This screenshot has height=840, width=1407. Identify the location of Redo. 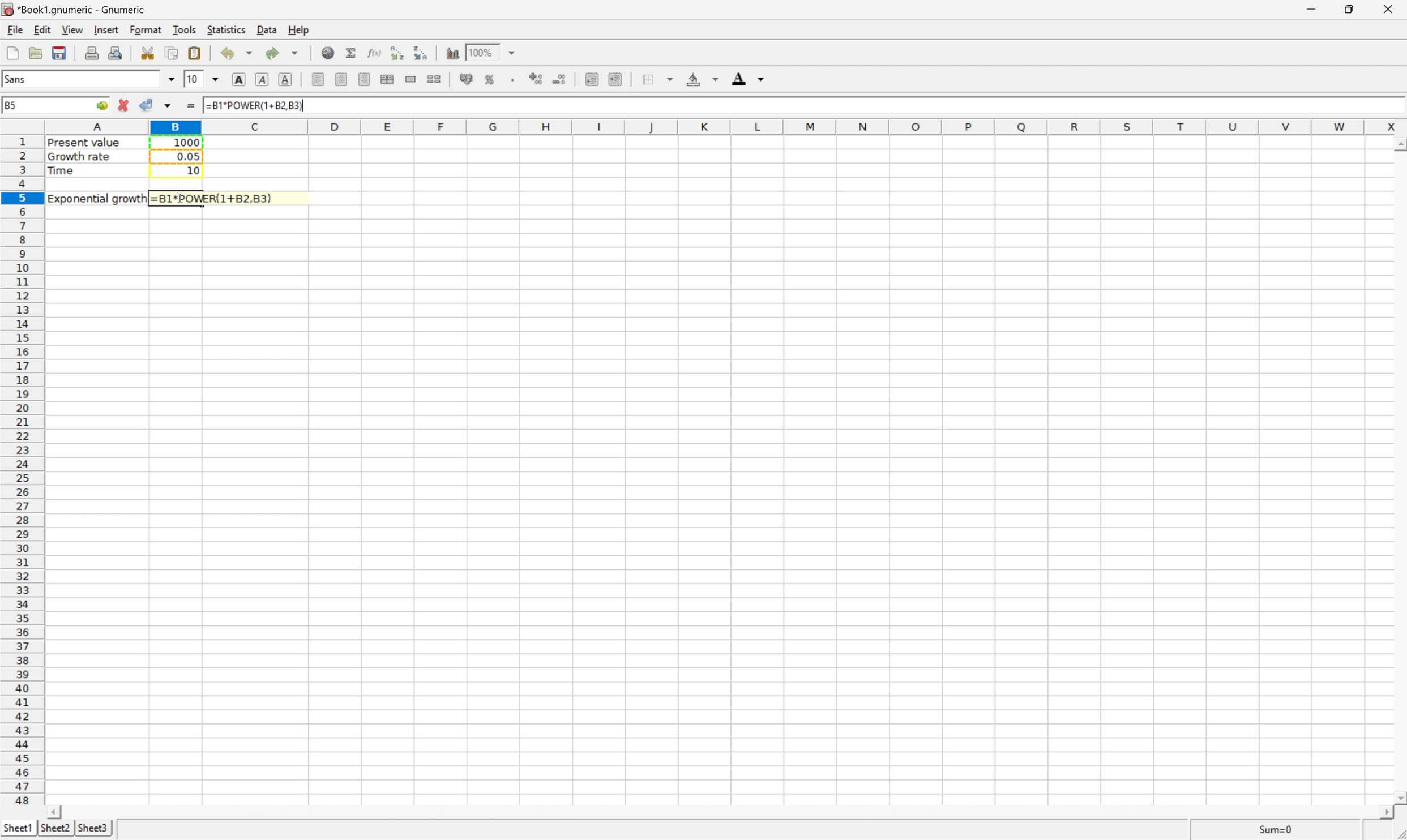
(283, 54).